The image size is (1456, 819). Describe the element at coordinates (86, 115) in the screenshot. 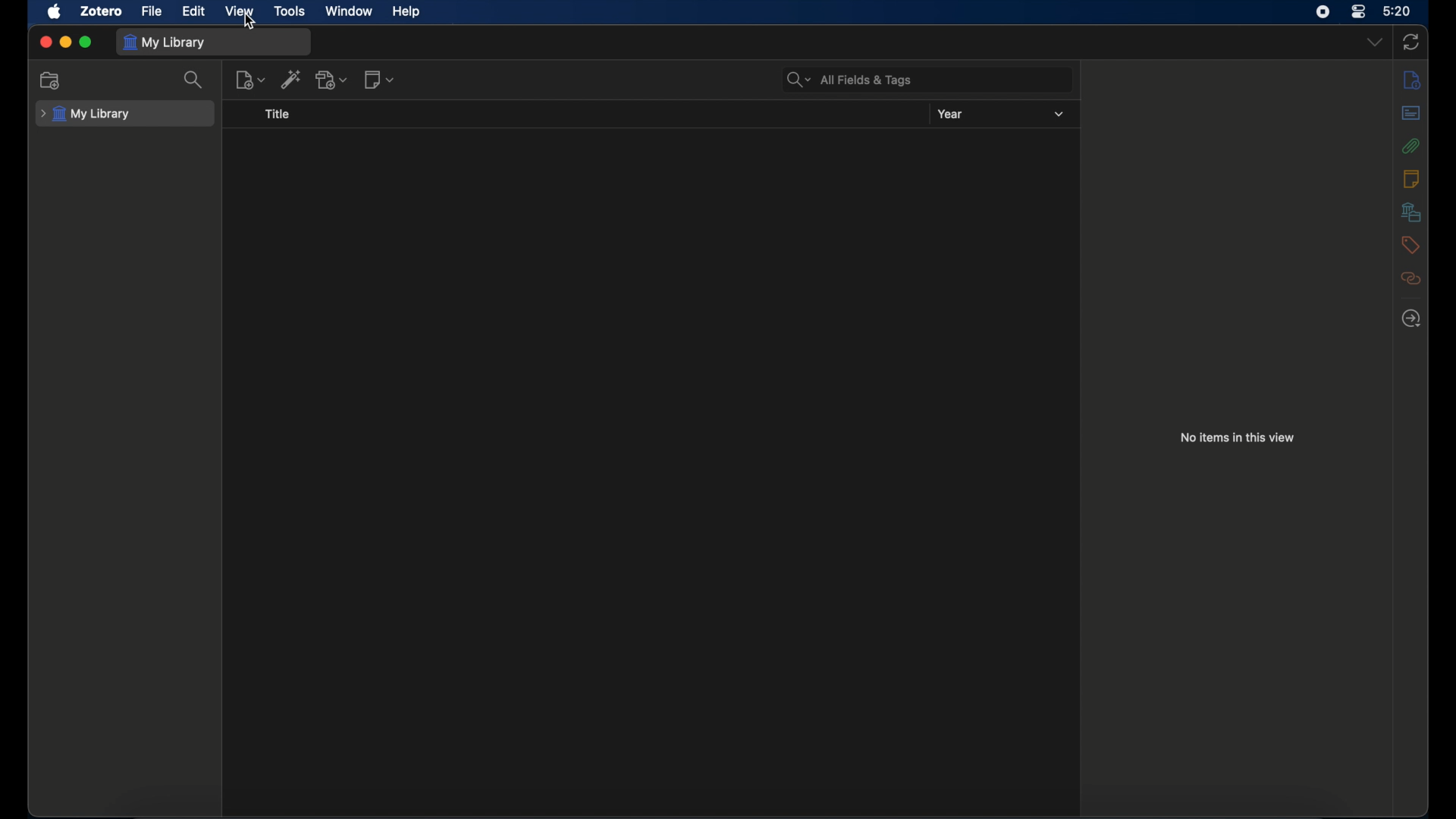

I see `my library` at that location.